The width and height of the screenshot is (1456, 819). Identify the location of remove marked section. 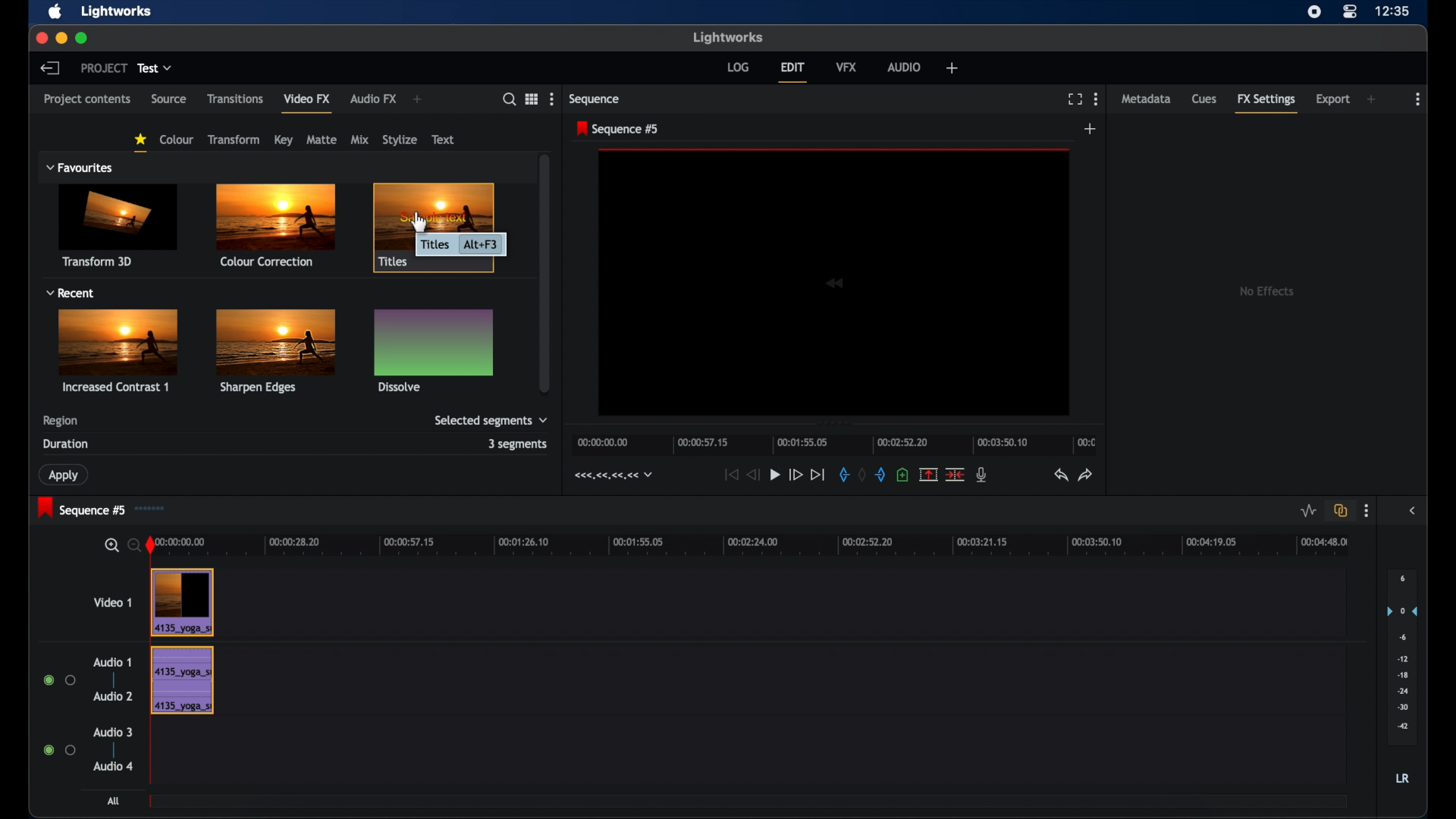
(929, 473).